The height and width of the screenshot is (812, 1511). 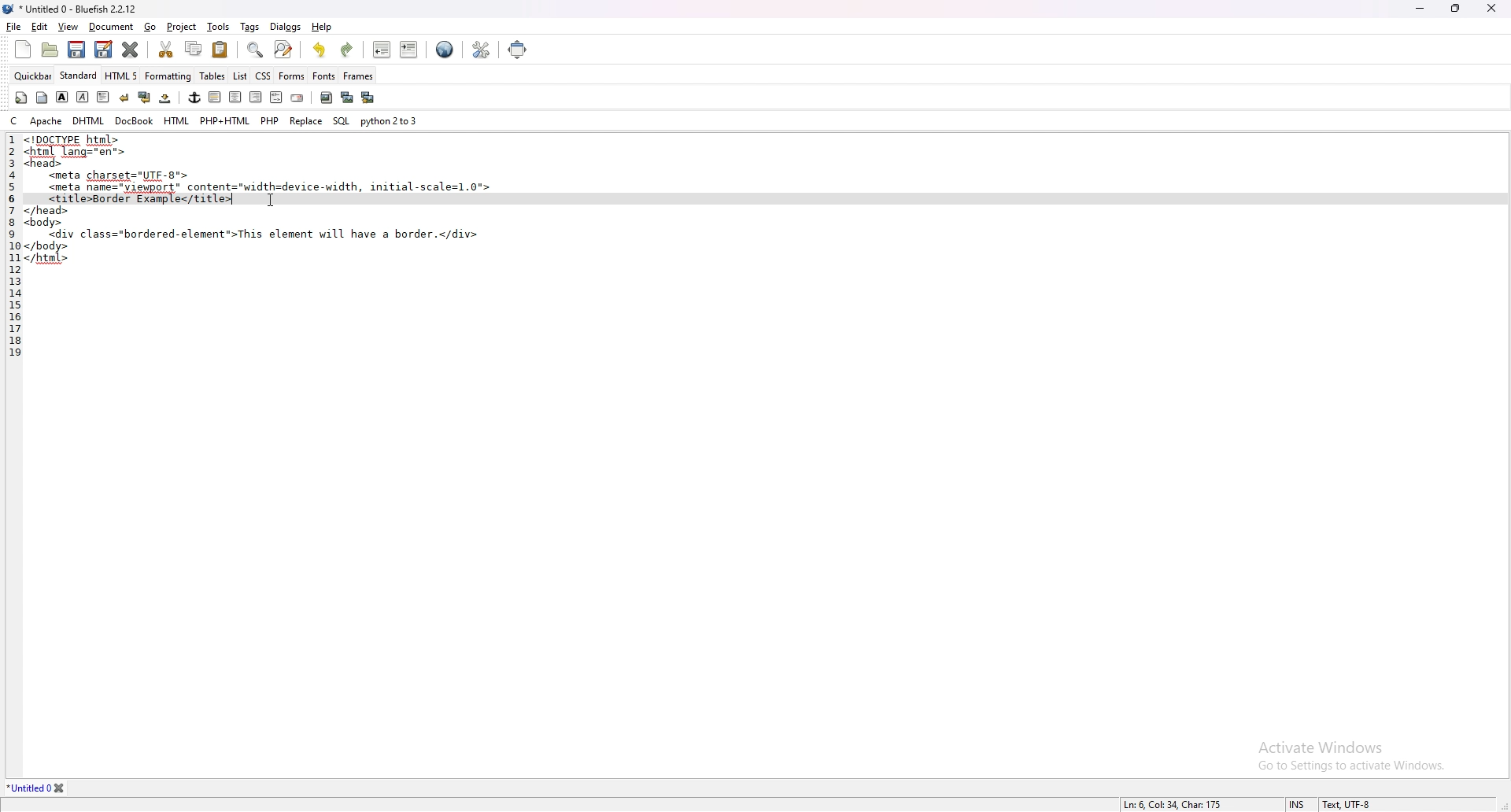 What do you see at coordinates (297, 98) in the screenshot?
I see `email` at bounding box center [297, 98].